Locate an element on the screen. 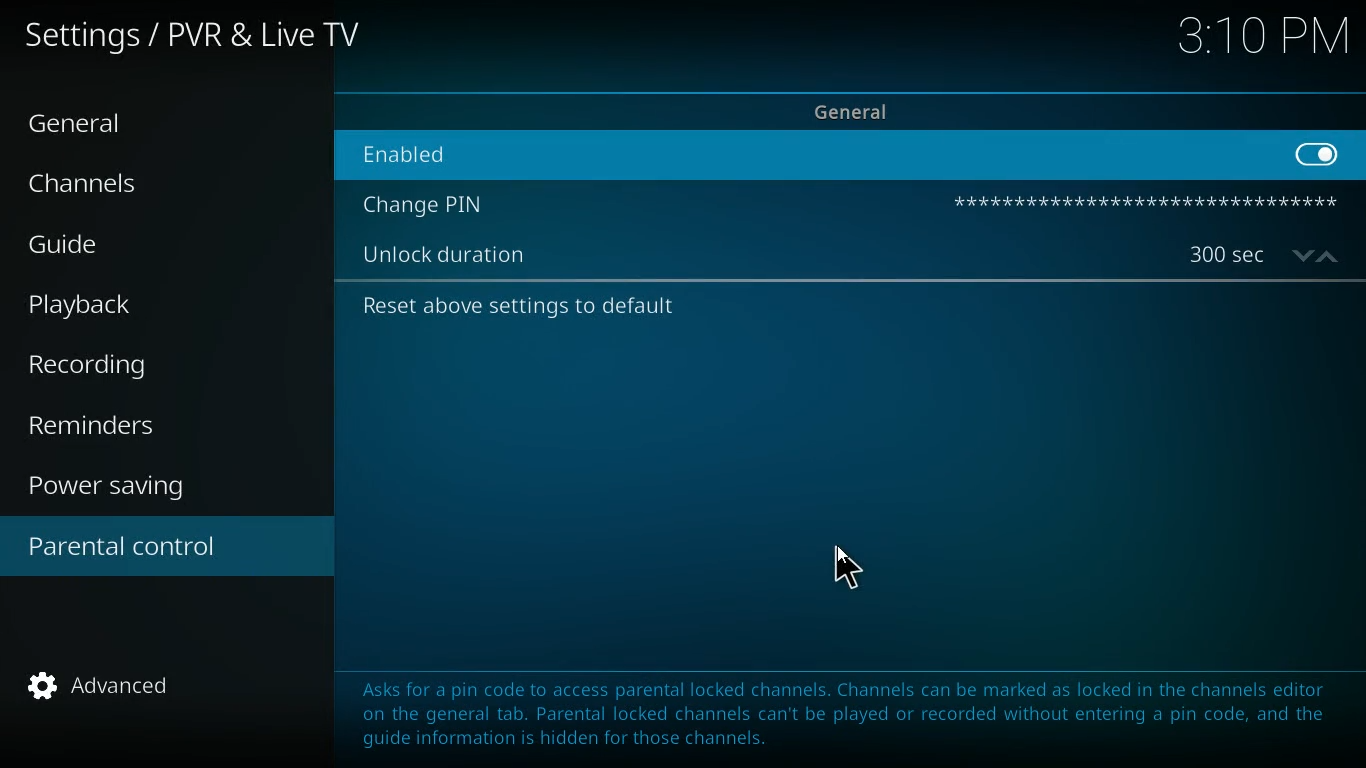 Image resolution: width=1366 pixels, height=768 pixels. time is located at coordinates (1264, 255).